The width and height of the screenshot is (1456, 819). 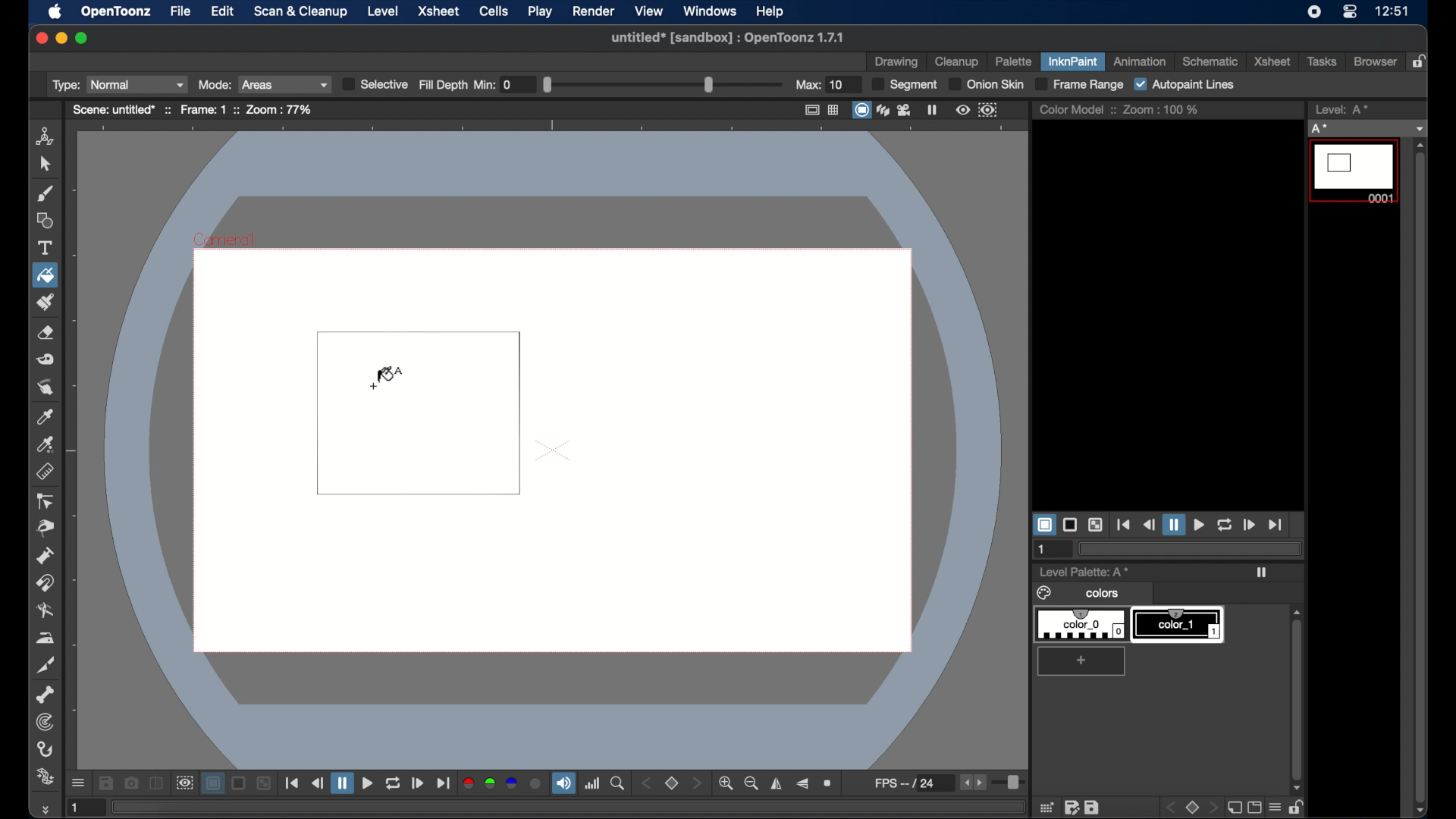 What do you see at coordinates (1248, 524) in the screenshot?
I see `forward` at bounding box center [1248, 524].